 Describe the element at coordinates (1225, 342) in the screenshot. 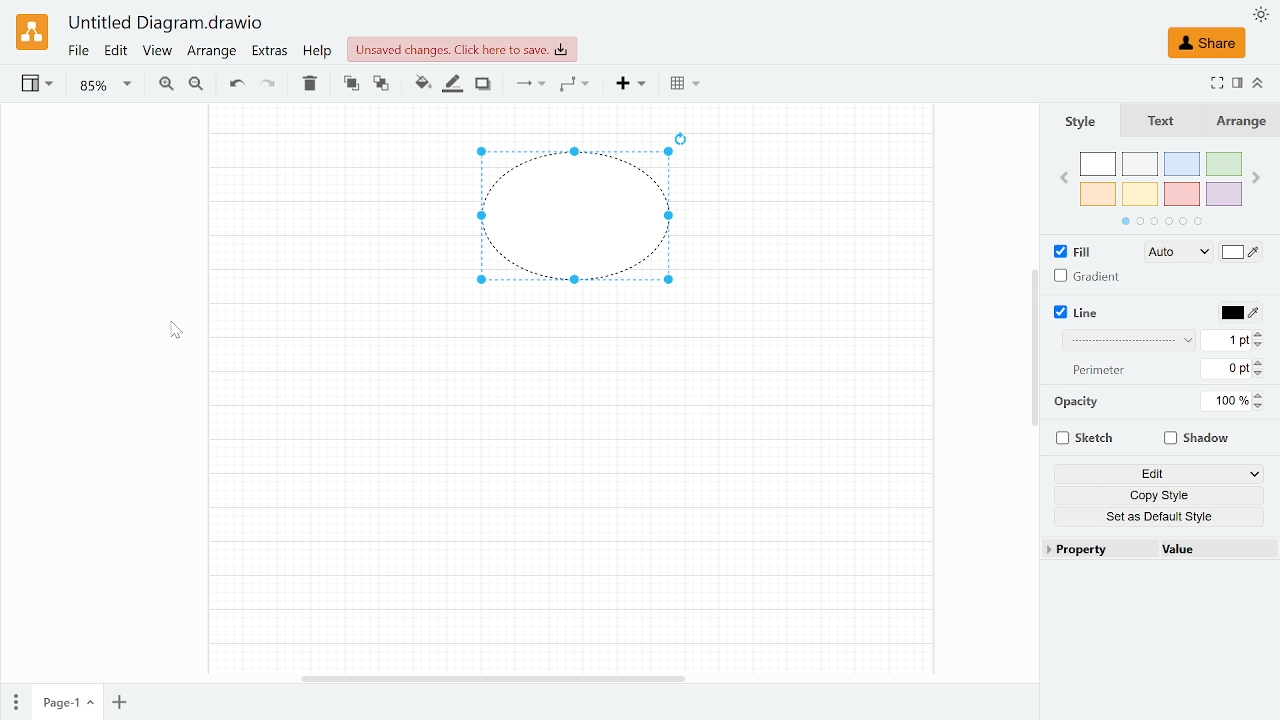

I see `Current line width` at that location.